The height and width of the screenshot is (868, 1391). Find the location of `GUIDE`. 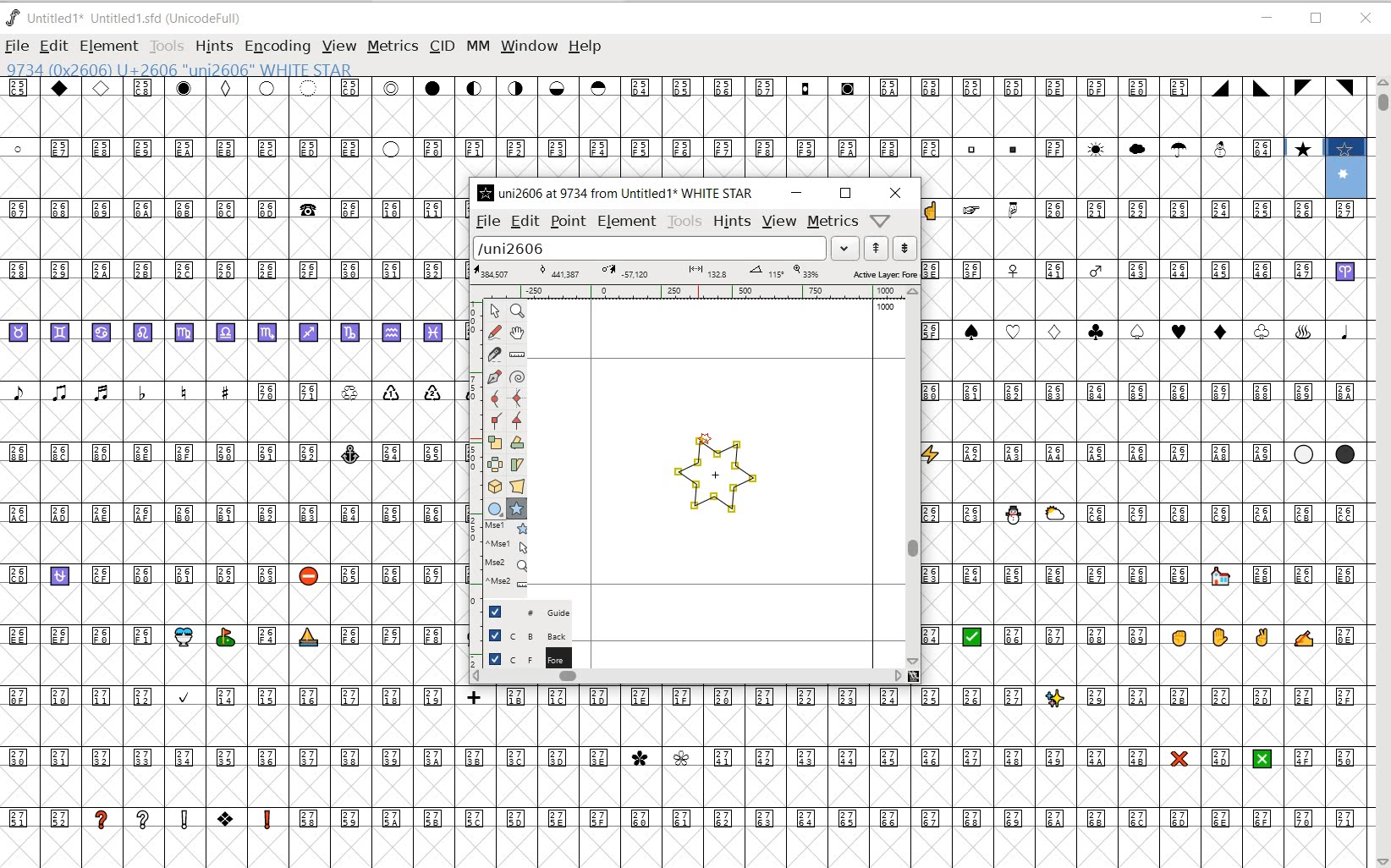

GUIDE is located at coordinates (520, 612).